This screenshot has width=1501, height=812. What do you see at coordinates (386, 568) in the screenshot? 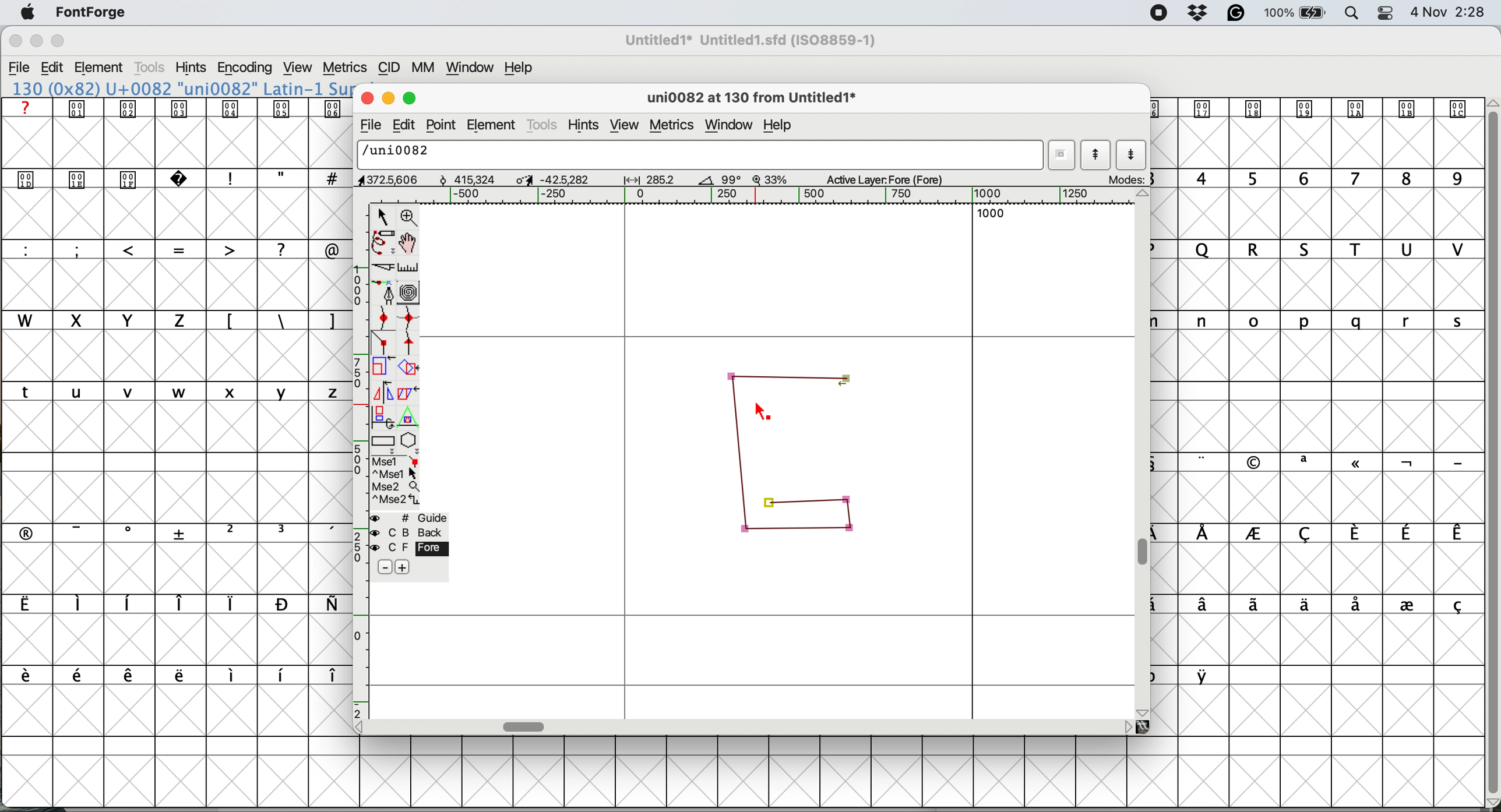
I see `remove` at bounding box center [386, 568].